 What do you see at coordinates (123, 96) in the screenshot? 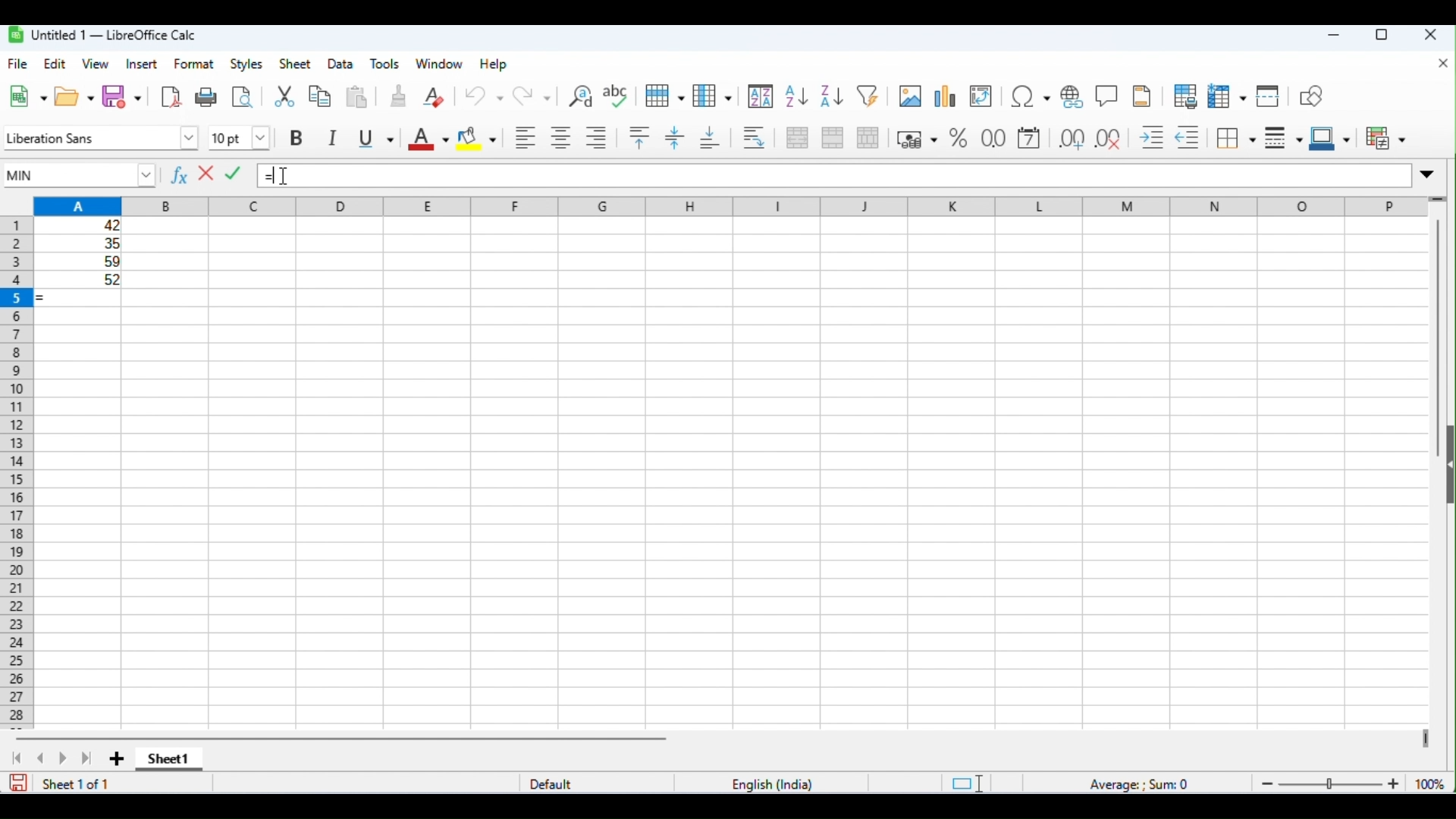
I see `save` at bounding box center [123, 96].